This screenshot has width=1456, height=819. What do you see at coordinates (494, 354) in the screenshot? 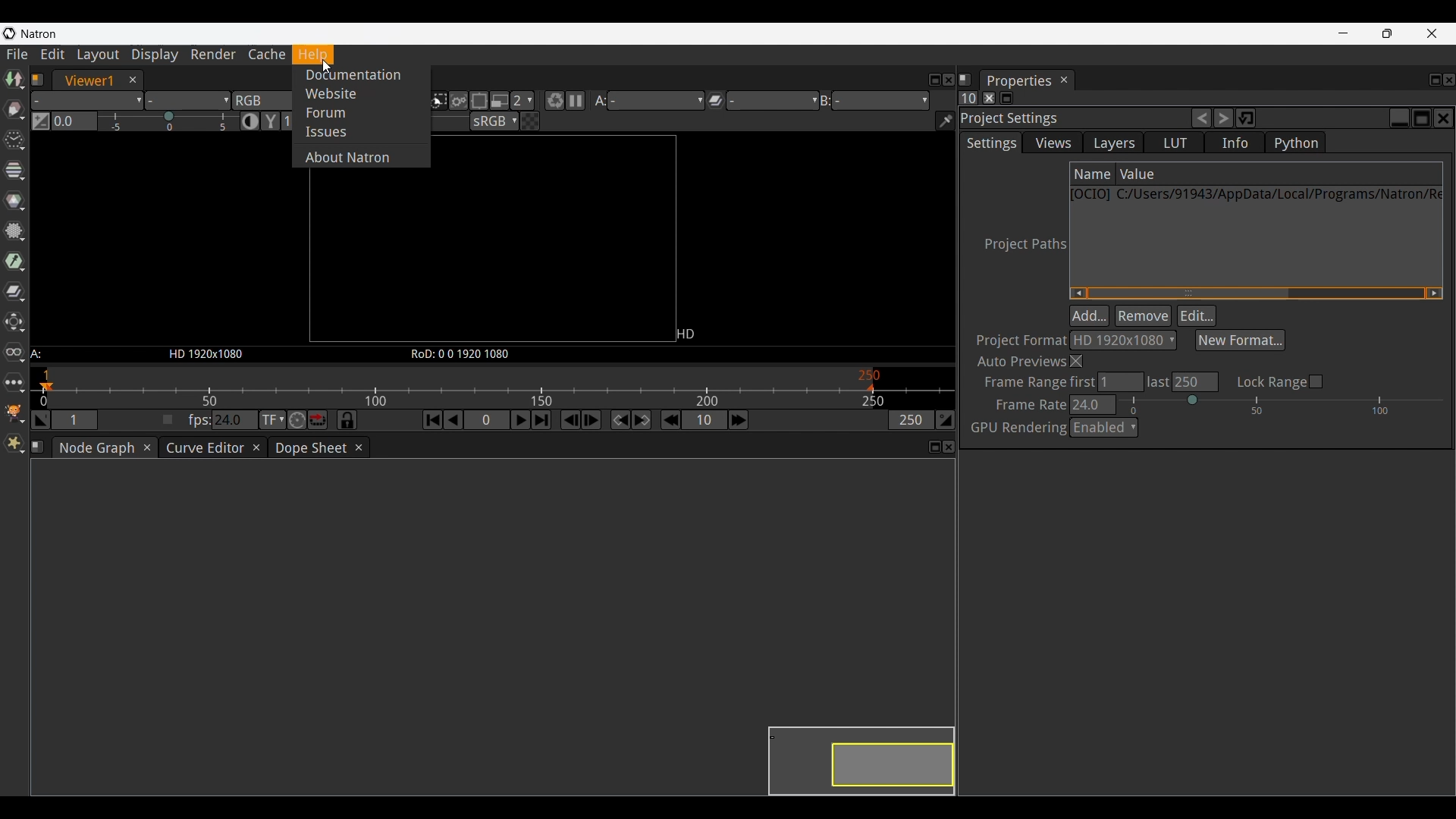
I see `Information about the canvas` at bounding box center [494, 354].